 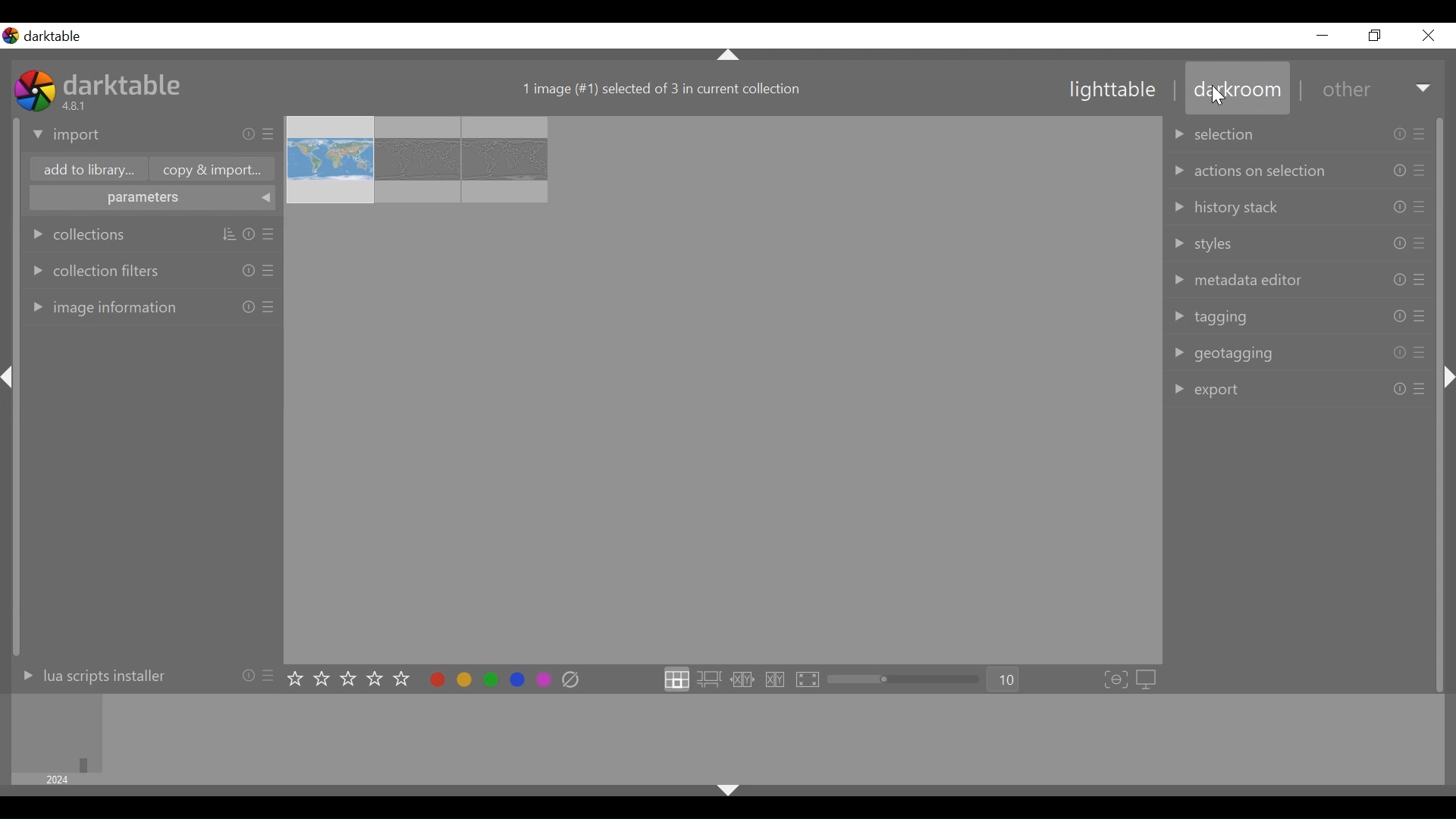 What do you see at coordinates (908, 679) in the screenshot?
I see `zoom` at bounding box center [908, 679].